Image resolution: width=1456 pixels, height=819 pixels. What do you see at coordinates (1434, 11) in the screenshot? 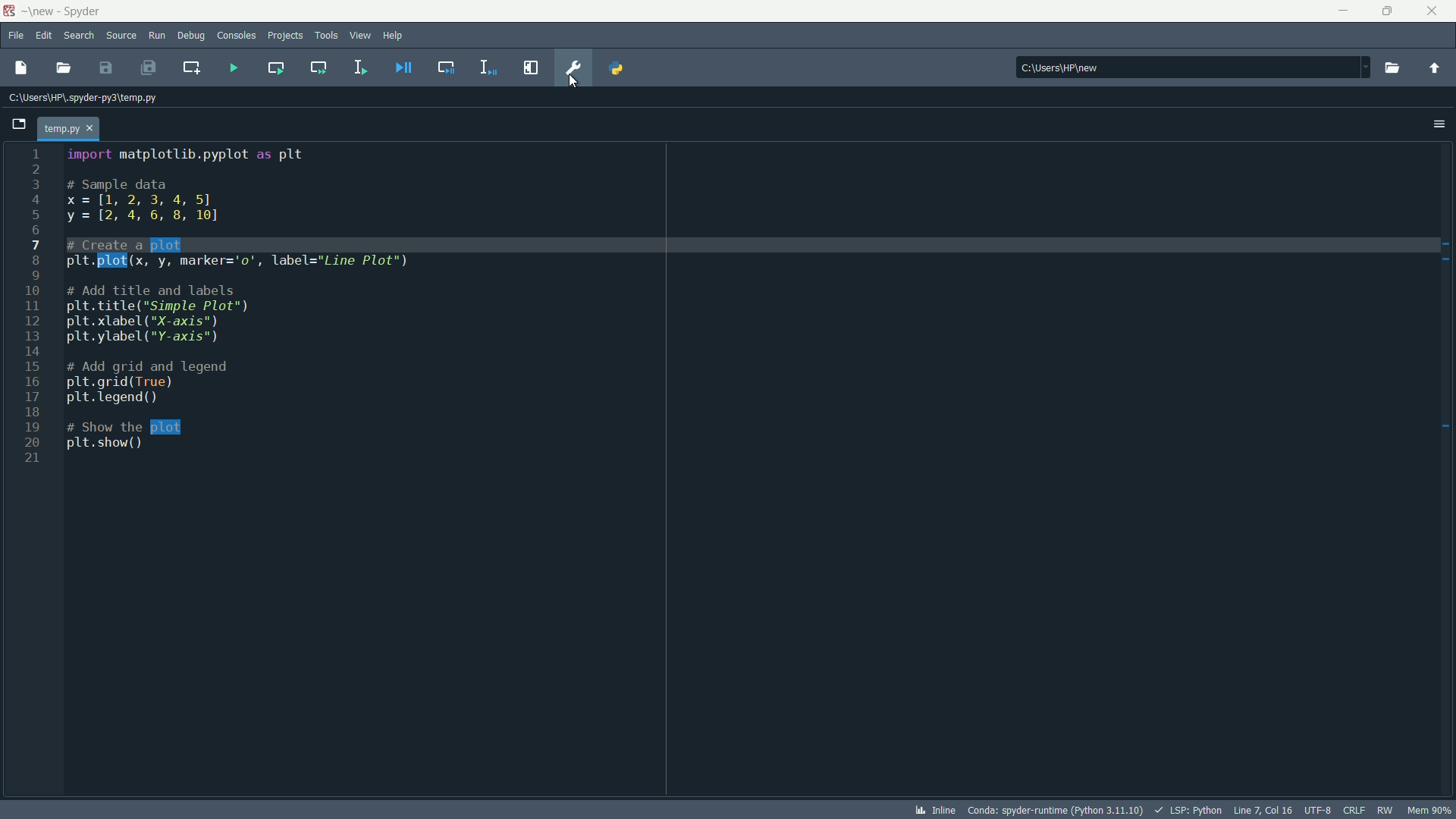
I see `close app` at bounding box center [1434, 11].